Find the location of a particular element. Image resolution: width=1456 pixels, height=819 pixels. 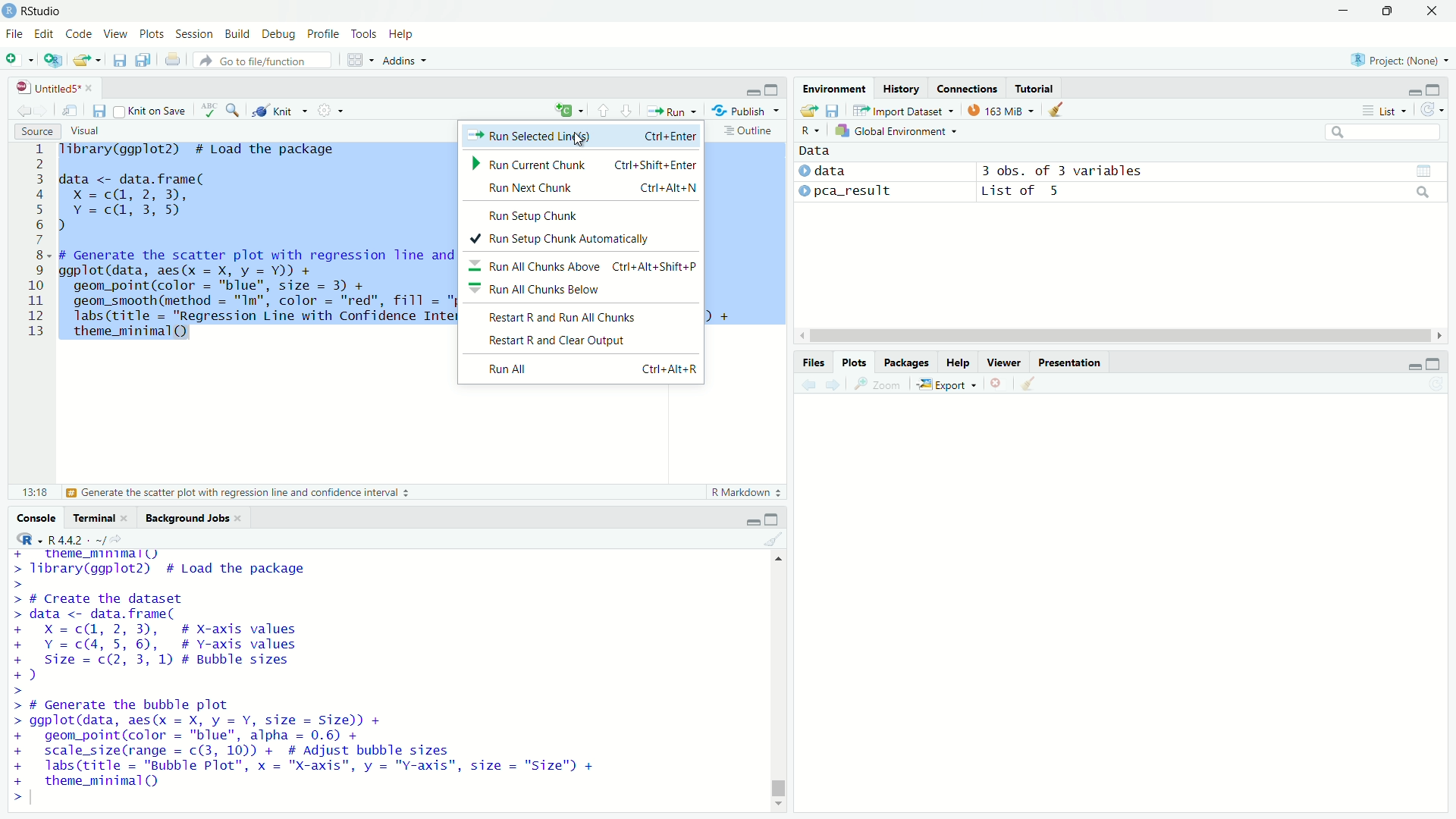

Go to next section/chunk is located at coordinates (626, 108).